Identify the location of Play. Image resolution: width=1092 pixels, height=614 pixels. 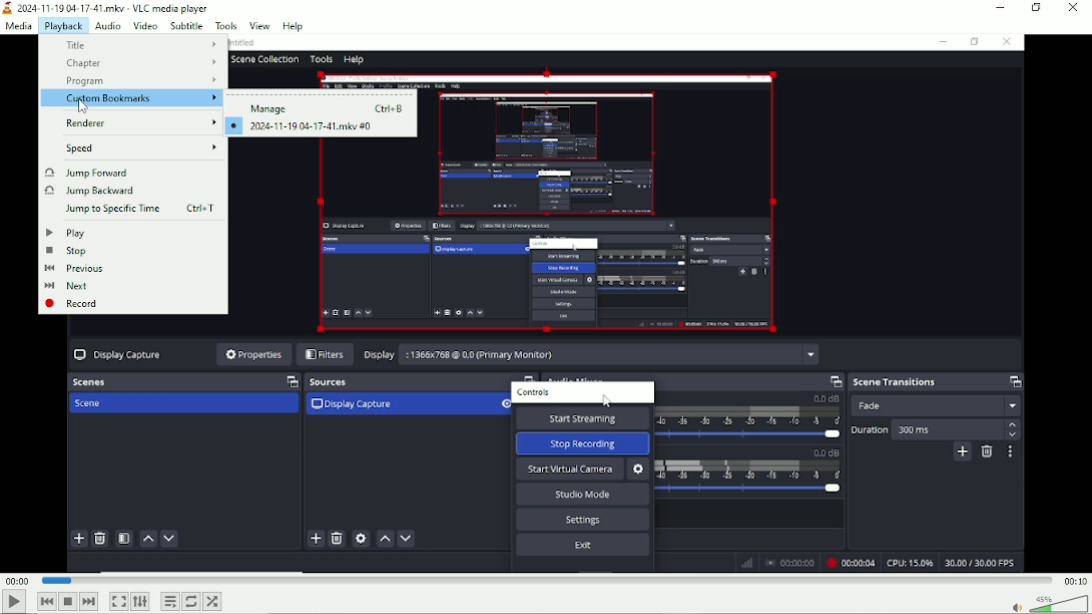
(66, 232).